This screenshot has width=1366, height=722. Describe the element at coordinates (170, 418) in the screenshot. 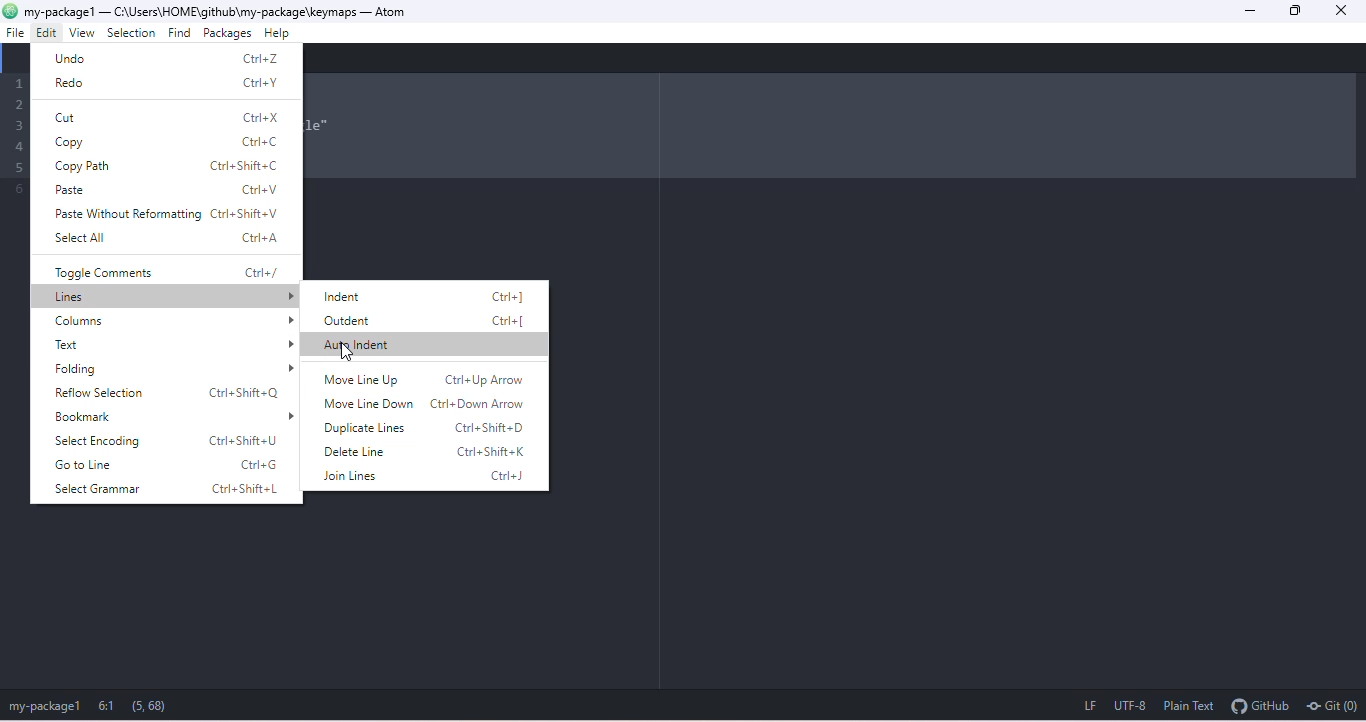

I see `bookmark` at that location.